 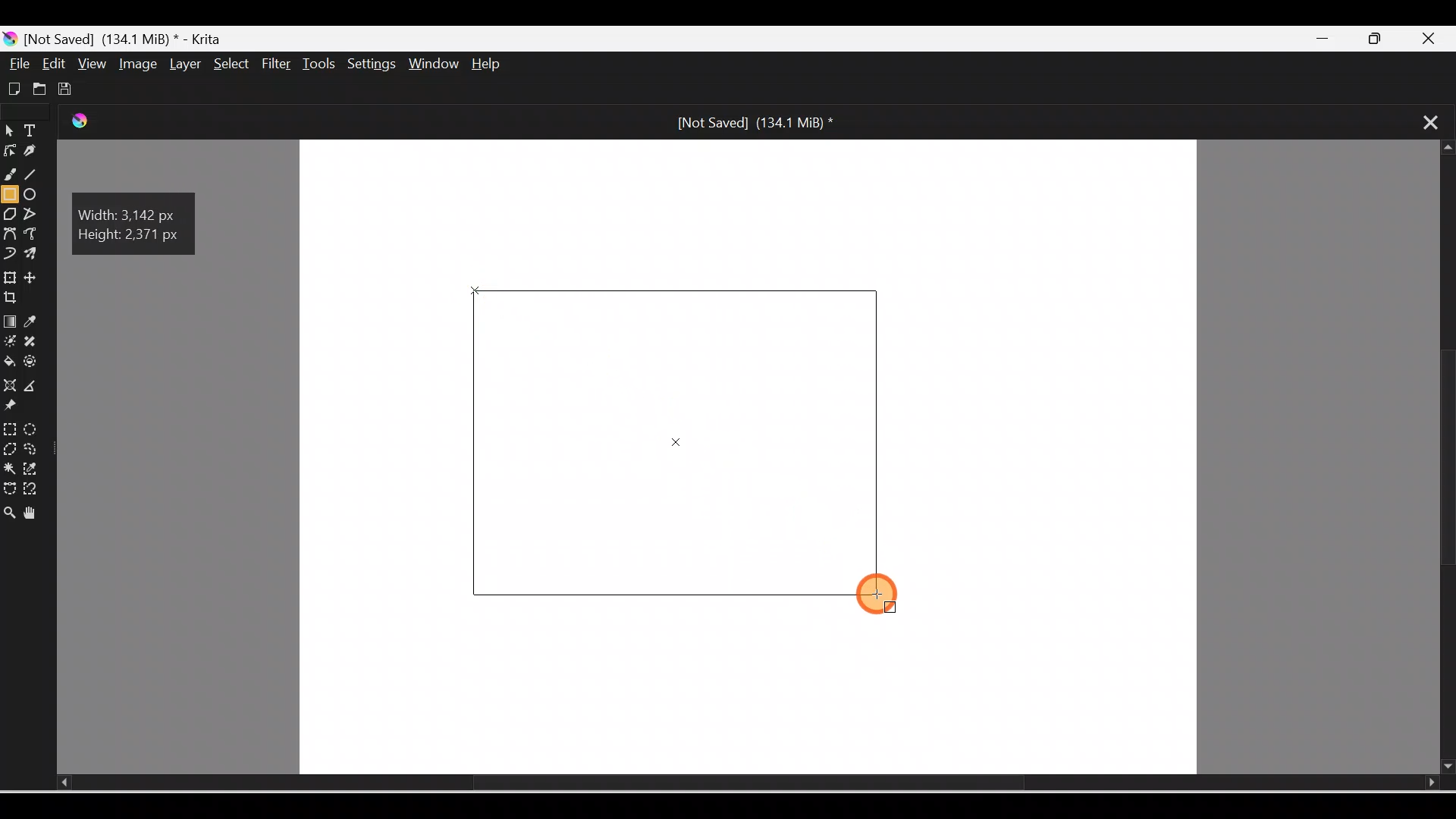 What do you see at coordinates (1423, 121) in the screenshot?
I see `Close tab` at bounding box center [1423, 121].